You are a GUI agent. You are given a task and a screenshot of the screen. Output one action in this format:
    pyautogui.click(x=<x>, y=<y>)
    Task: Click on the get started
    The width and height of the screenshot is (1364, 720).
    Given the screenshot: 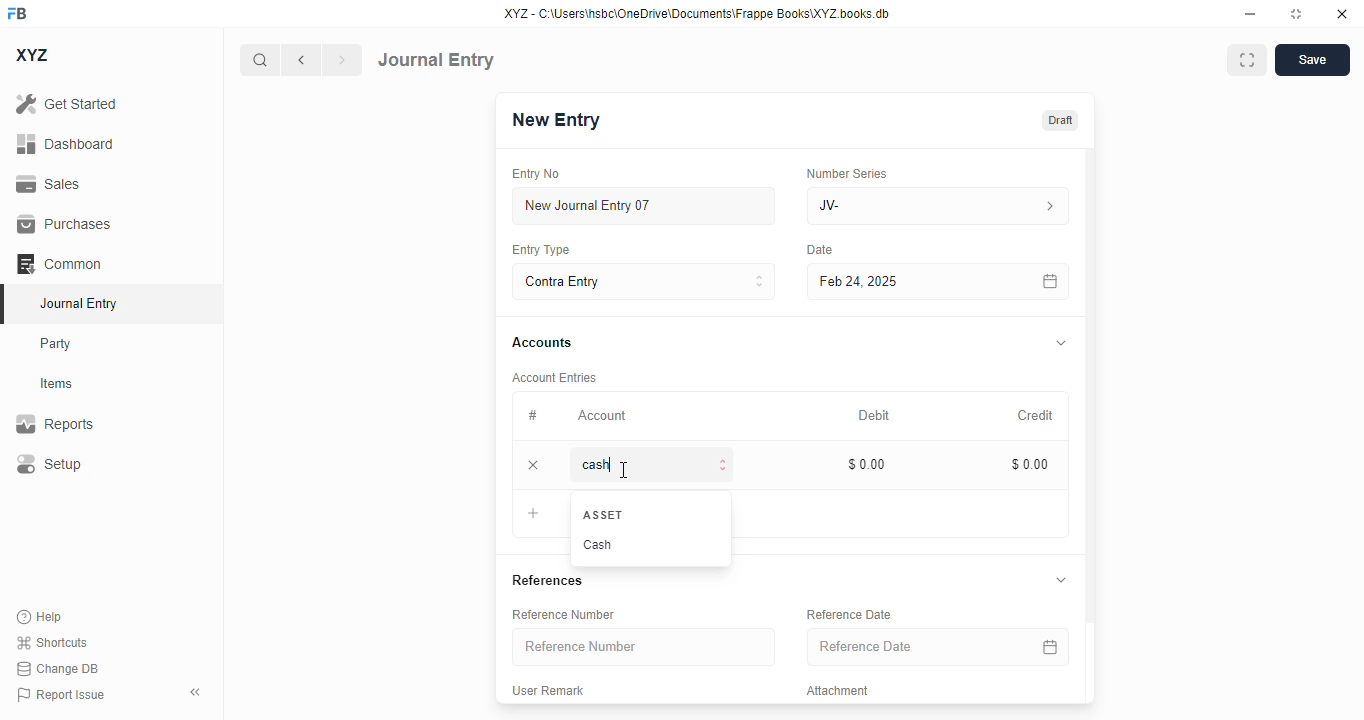 What is the action you would take?
    pyautogui.click(x=67, y=104)
    